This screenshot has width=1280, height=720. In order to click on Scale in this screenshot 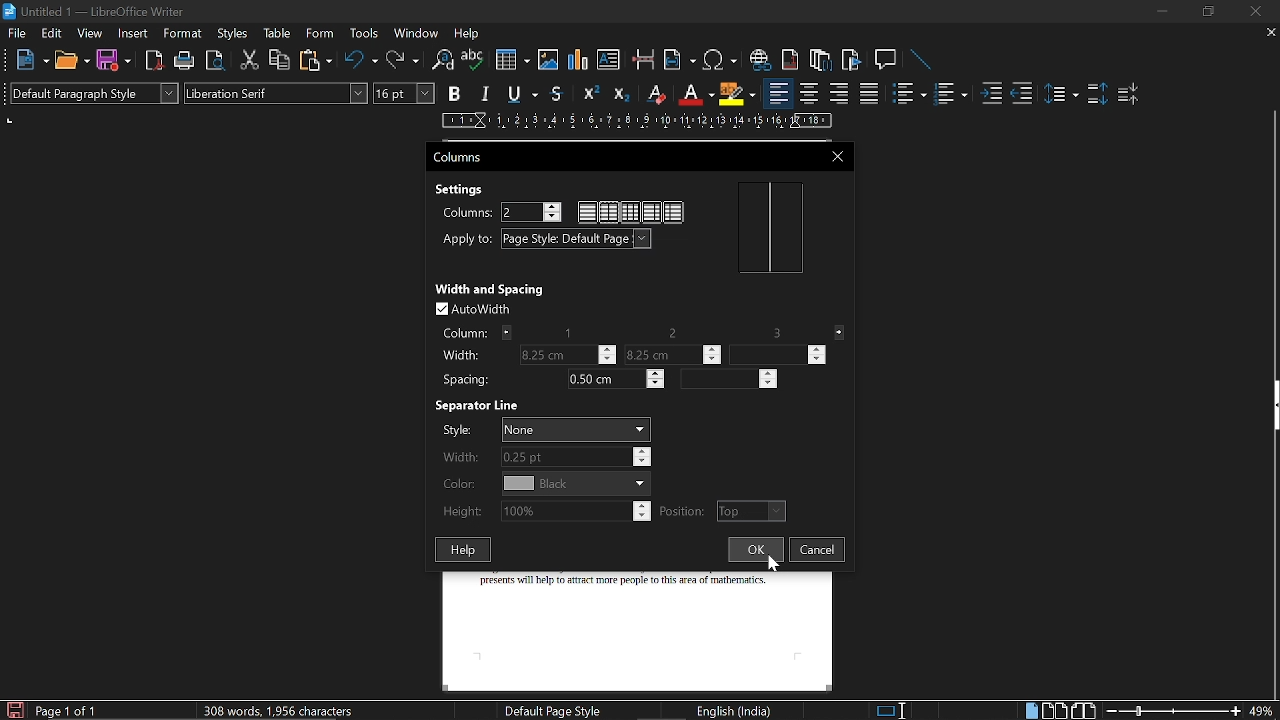, I will do `click(637, 121)`.